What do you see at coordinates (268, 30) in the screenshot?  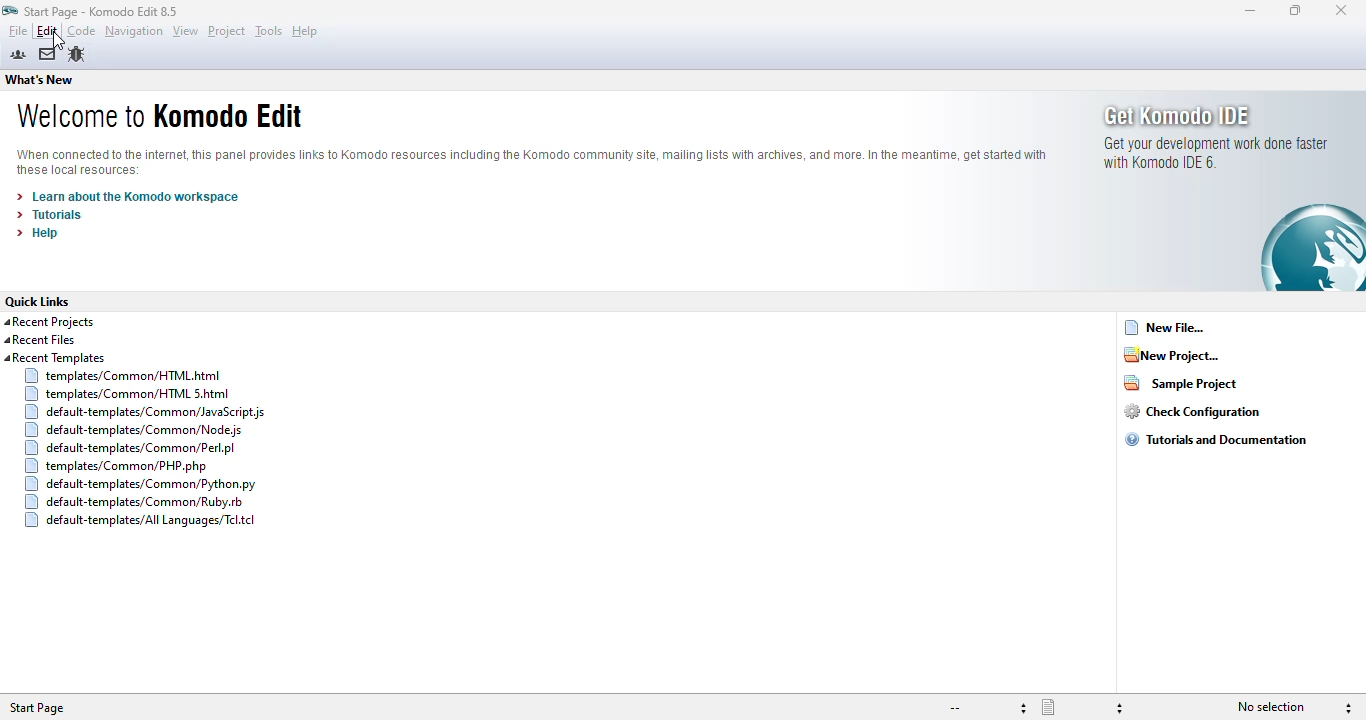 I see `tools` at bounding box center [268, 30].